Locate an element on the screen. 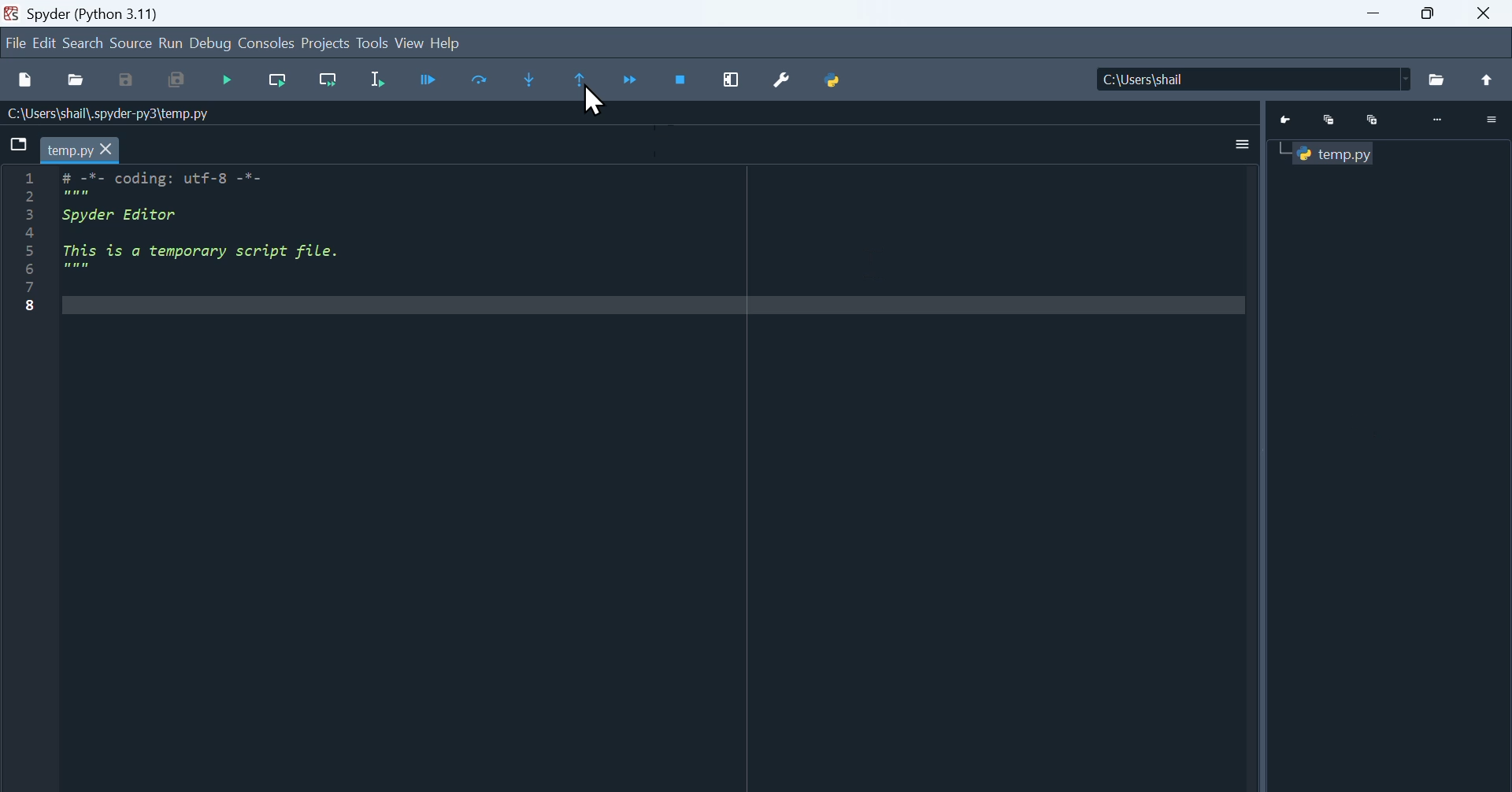 The height and width of the screenshot is (792, 1512). Stop debugging is located at coordinates (680, 80).